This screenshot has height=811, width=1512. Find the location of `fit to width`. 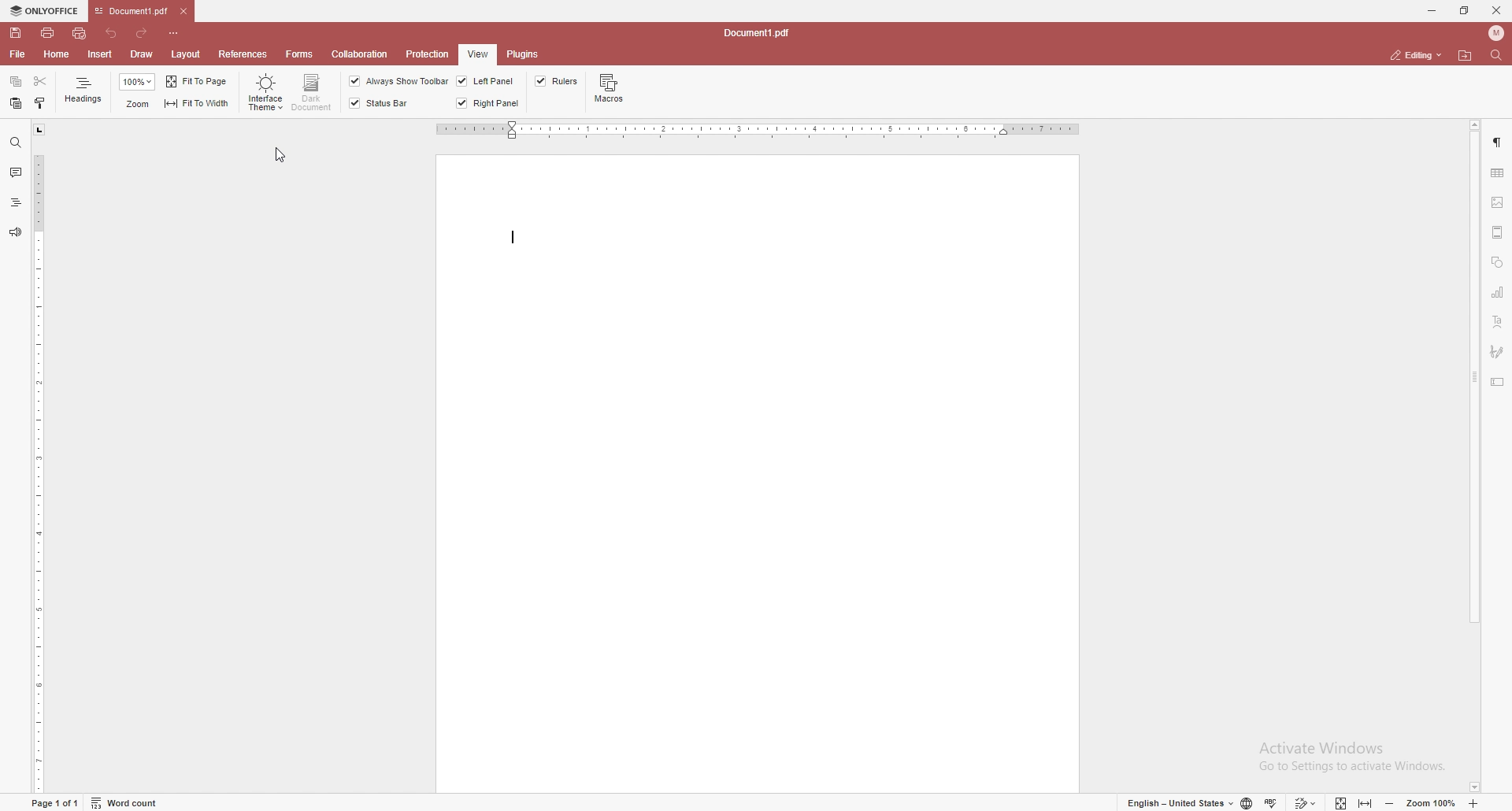

fit to width is located at coordinates (1366, 802).